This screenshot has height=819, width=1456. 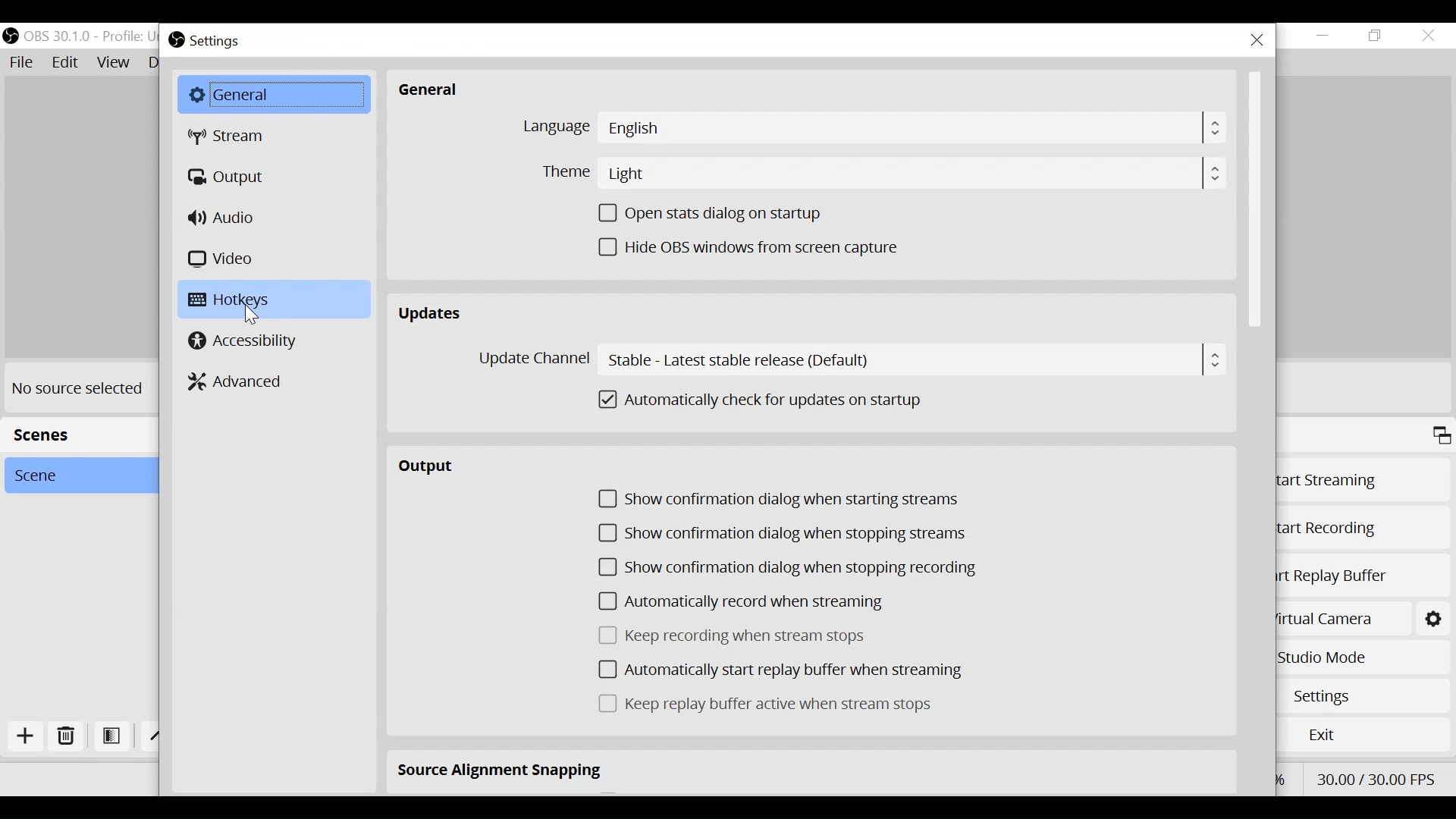 What do you see at coordinates (782, 533) in the screenshot?
I see `(un)check confirmation dialog when stopping streams` at bounding box center [782, 533].